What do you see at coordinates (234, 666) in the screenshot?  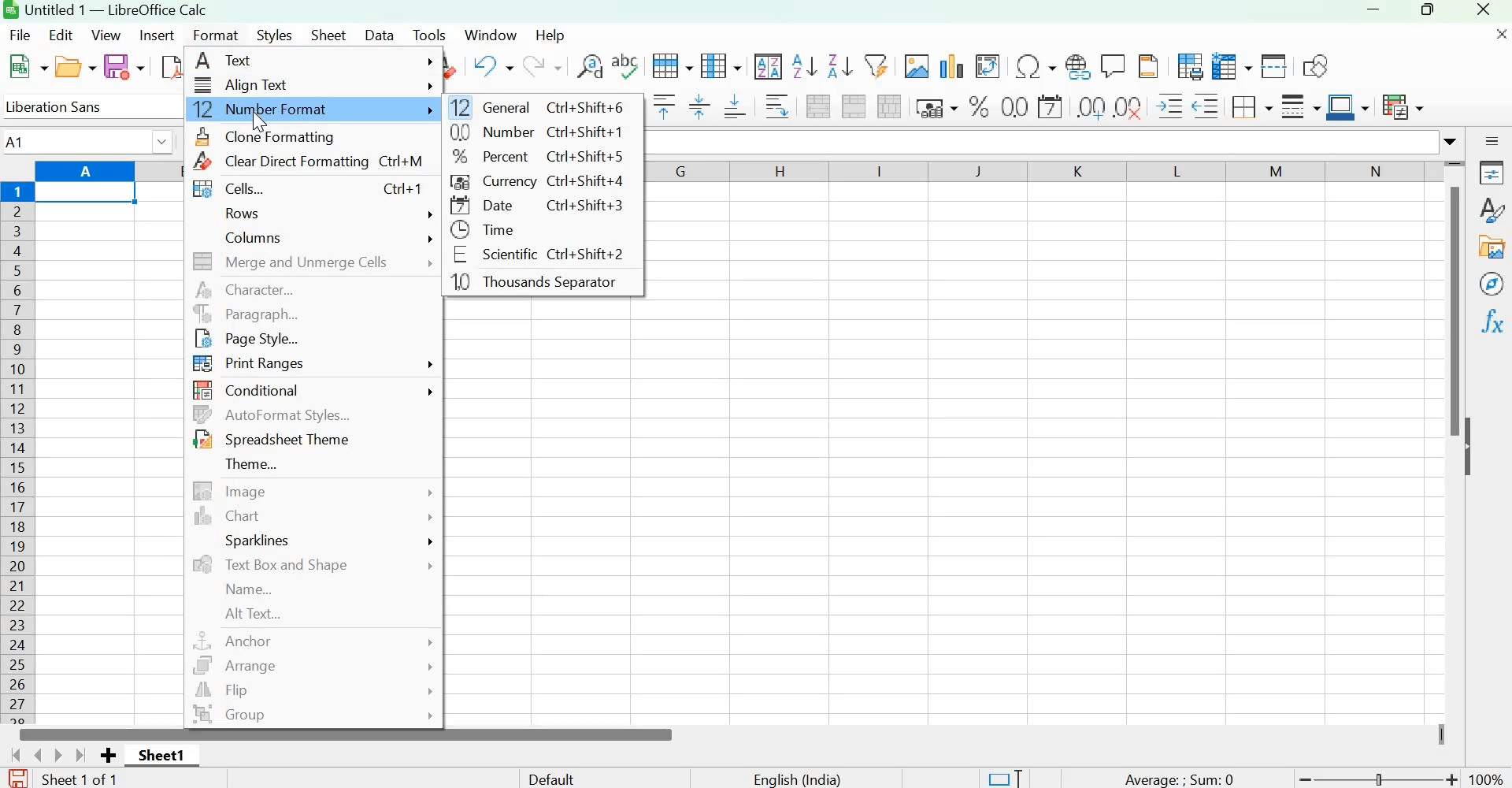 I see `Arrange` at bounding box center [234, 666].